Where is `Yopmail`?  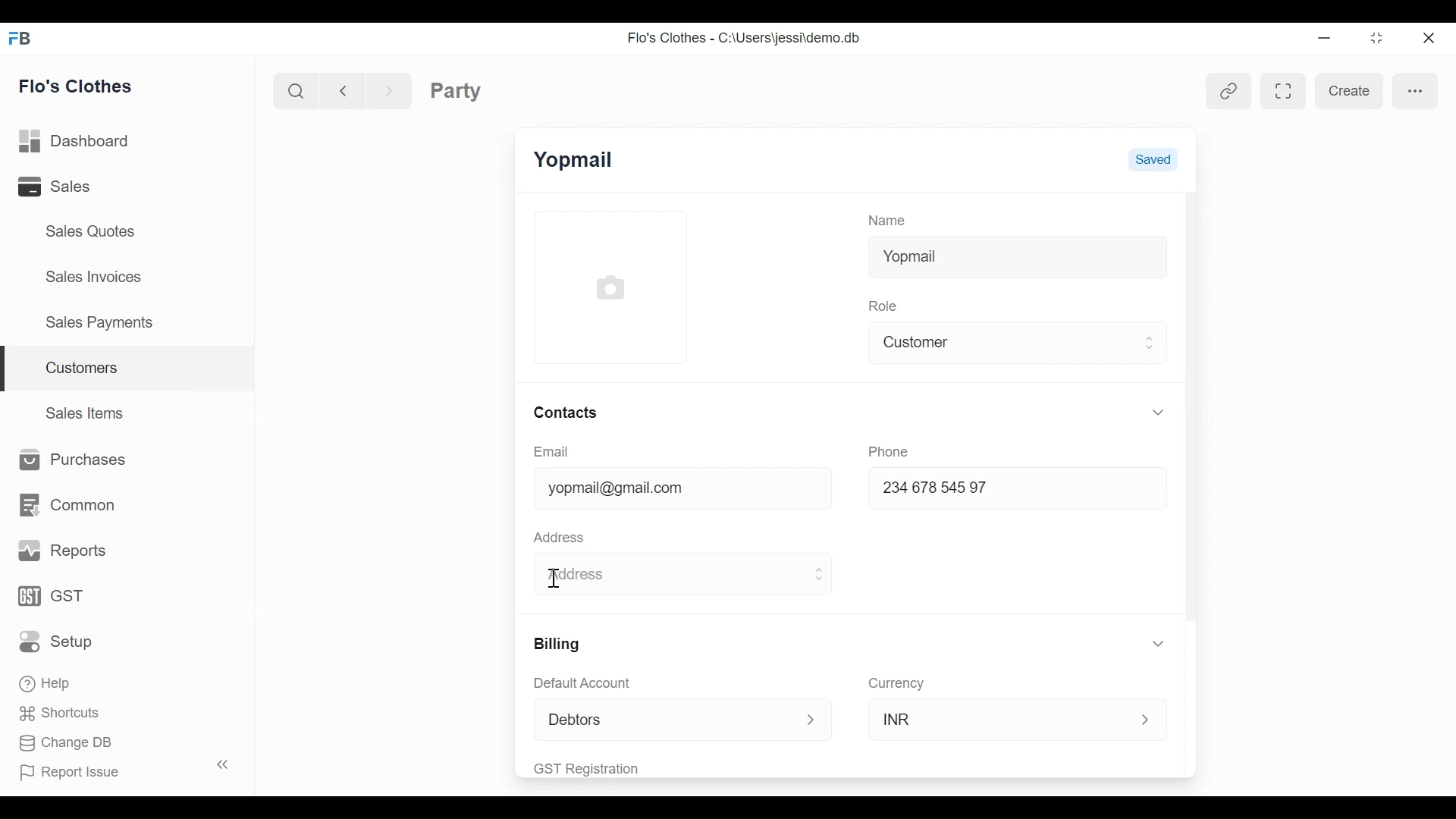 Yopmail is located at coordinates (576, 158).